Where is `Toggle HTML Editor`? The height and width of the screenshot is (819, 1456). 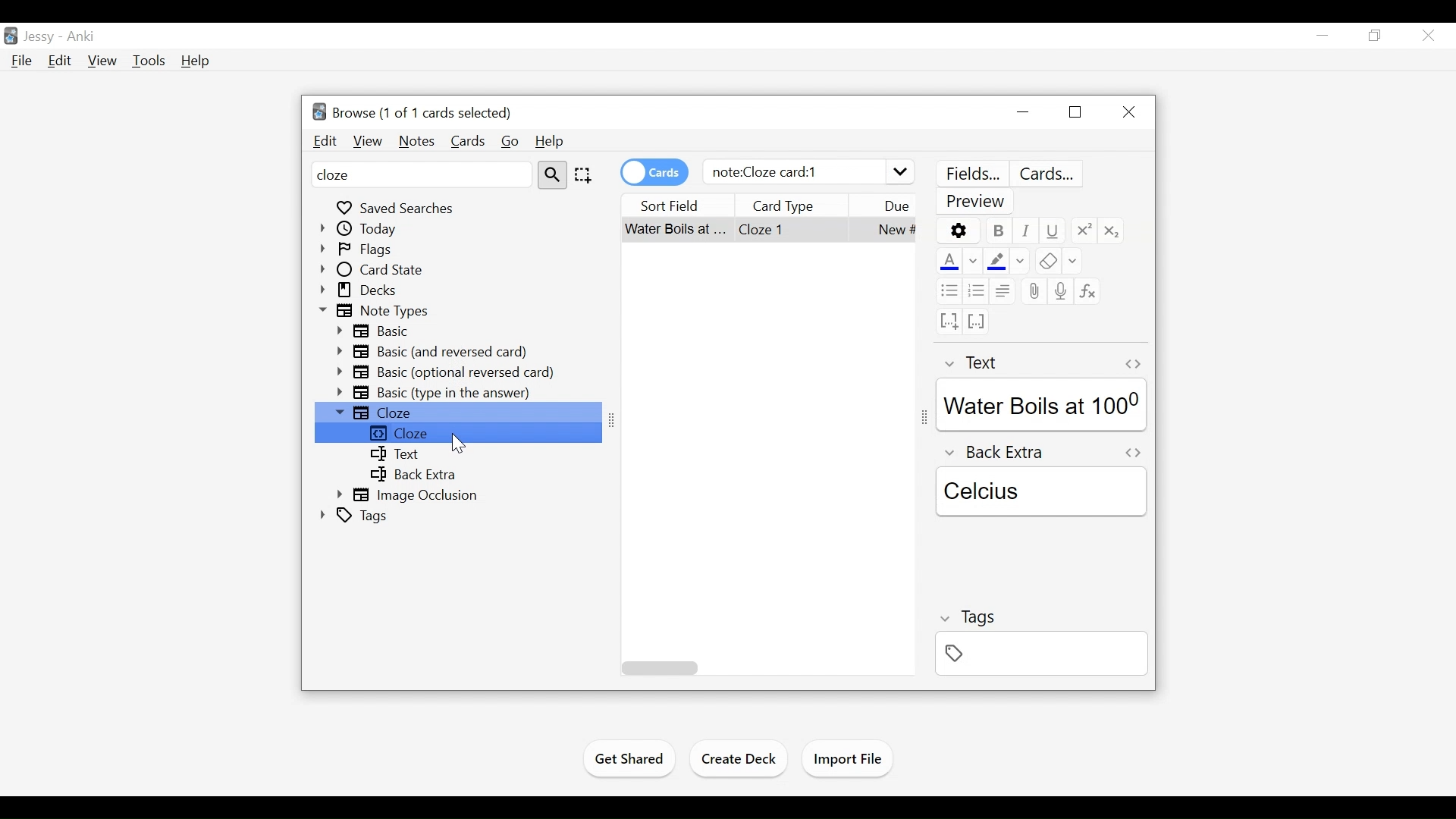
Toggle HTML Editor is located at coordinates (1134, 455).